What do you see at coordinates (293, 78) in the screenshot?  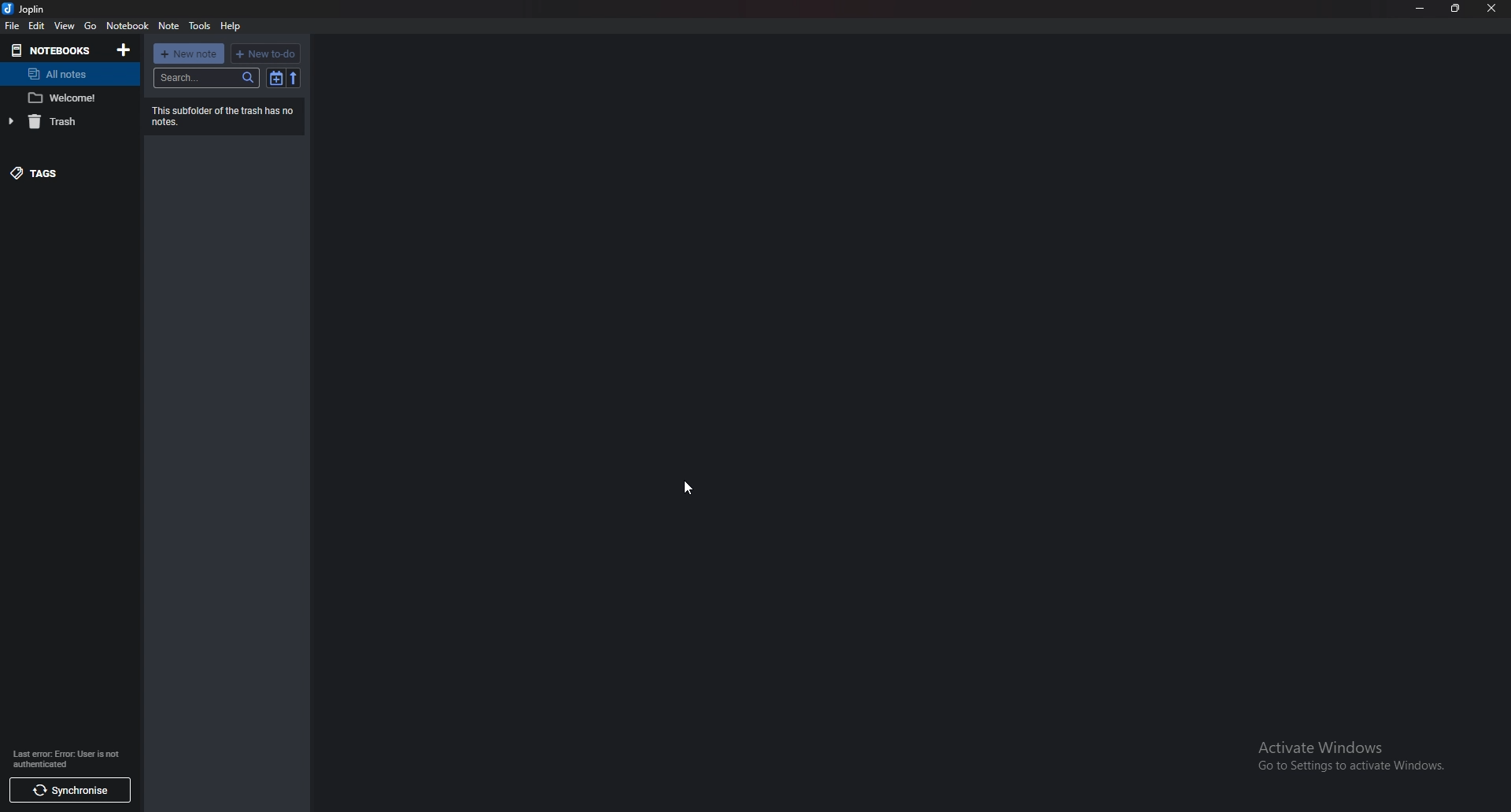 I see `Reverse sort order` at bounding box center [293, 78].